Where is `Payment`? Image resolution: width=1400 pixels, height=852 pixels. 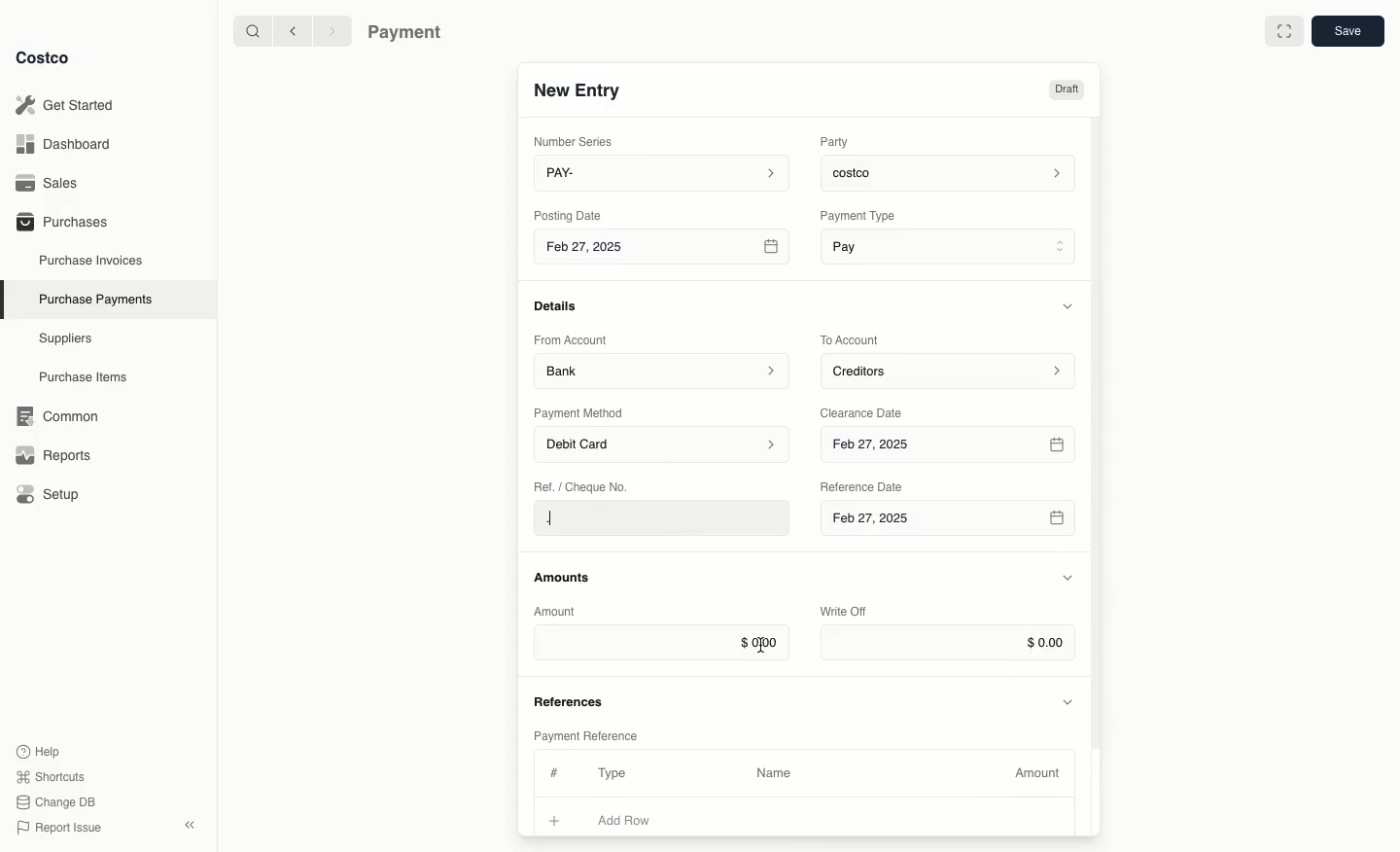 Payment is located at coordinates (409, 34).